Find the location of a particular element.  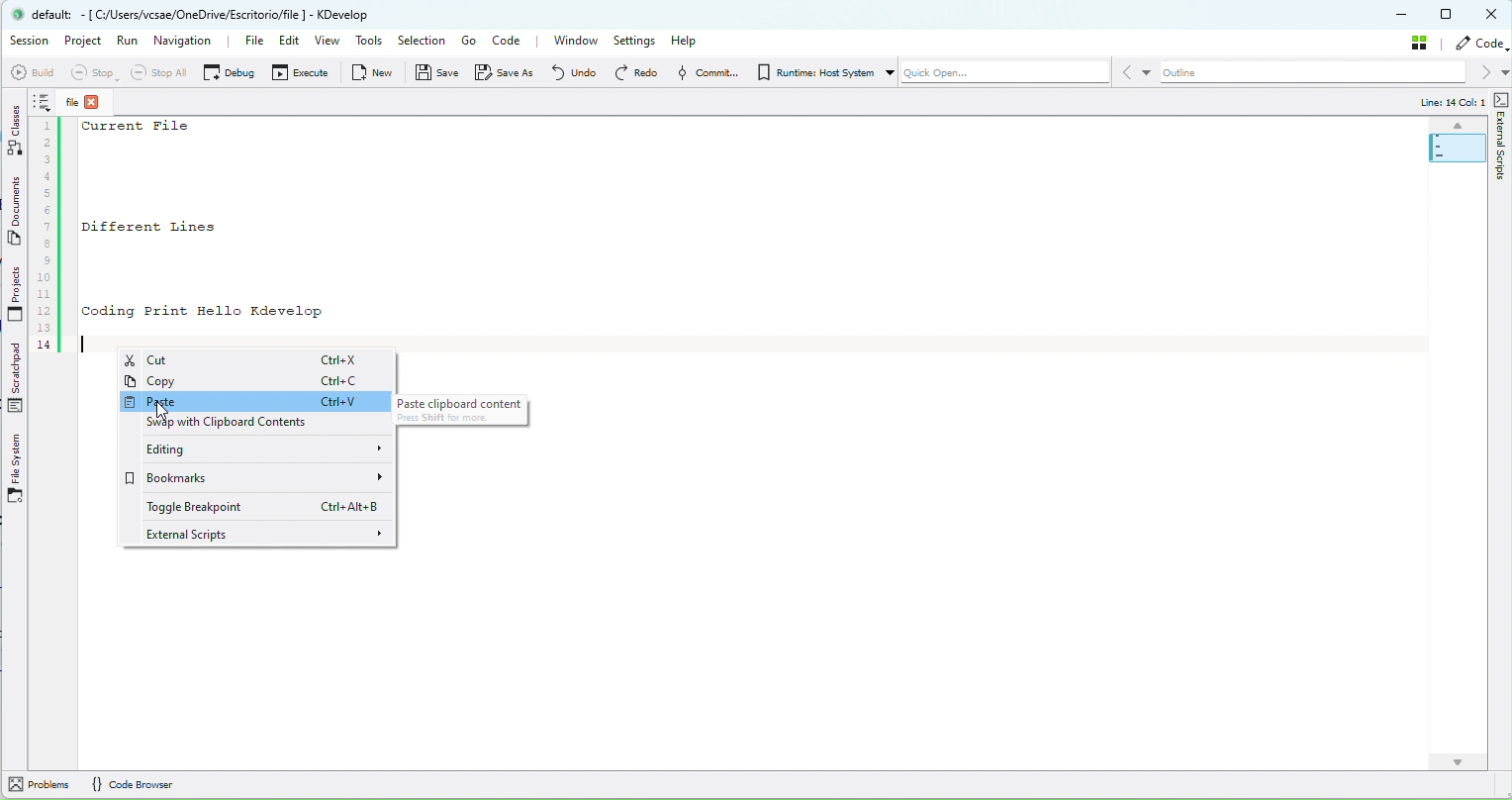

paste Ctrl+V is located at coordinates (257, 399).